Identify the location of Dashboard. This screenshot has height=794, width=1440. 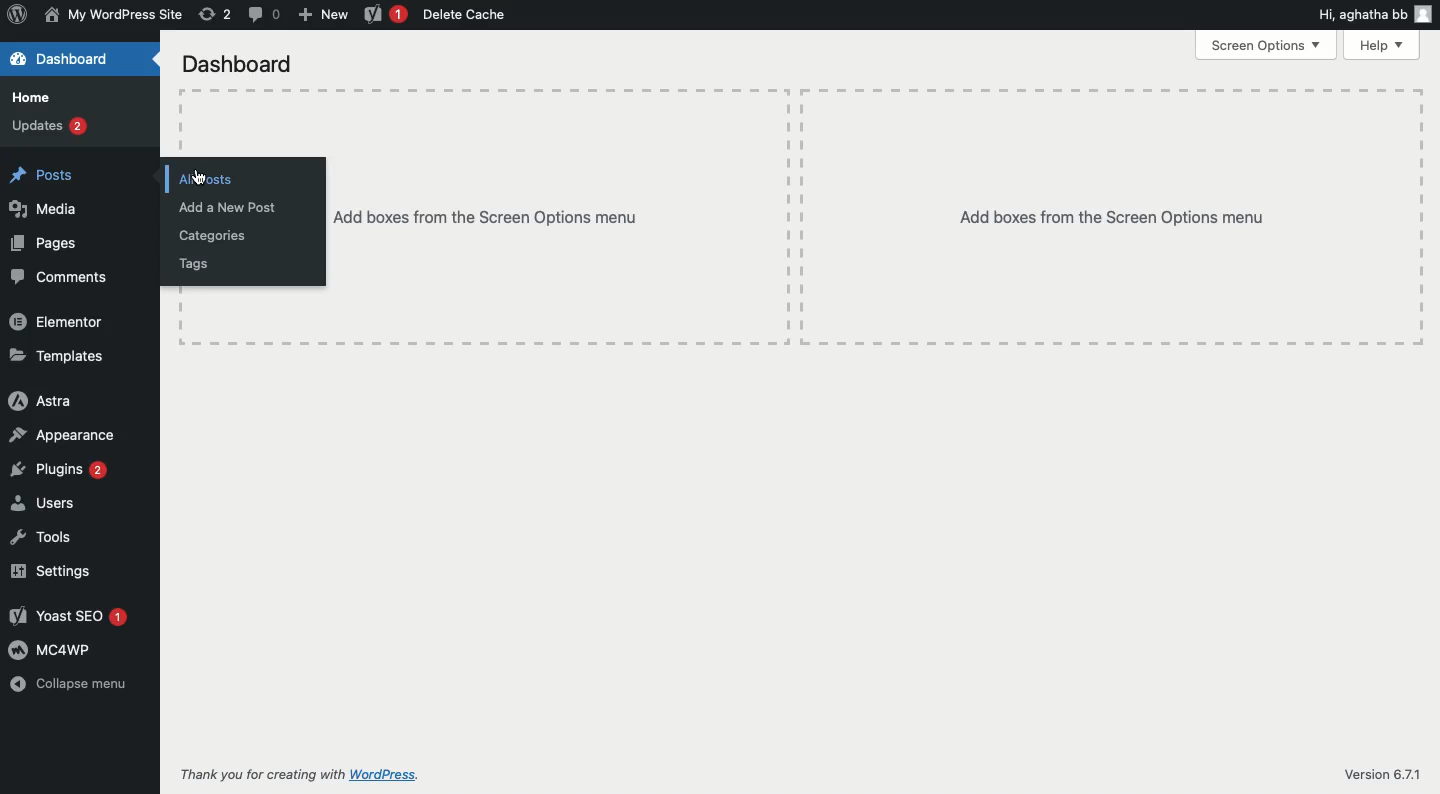
(71, 58).